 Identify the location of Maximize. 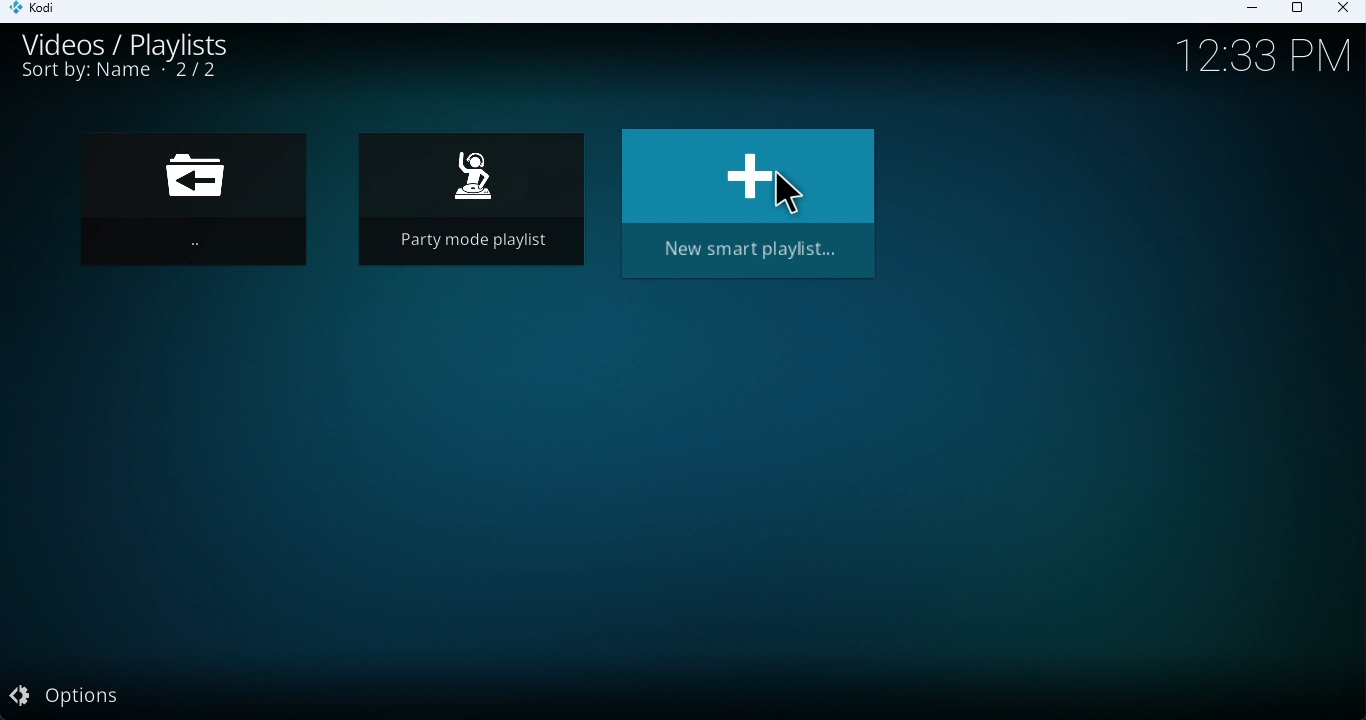
(1301, 9).